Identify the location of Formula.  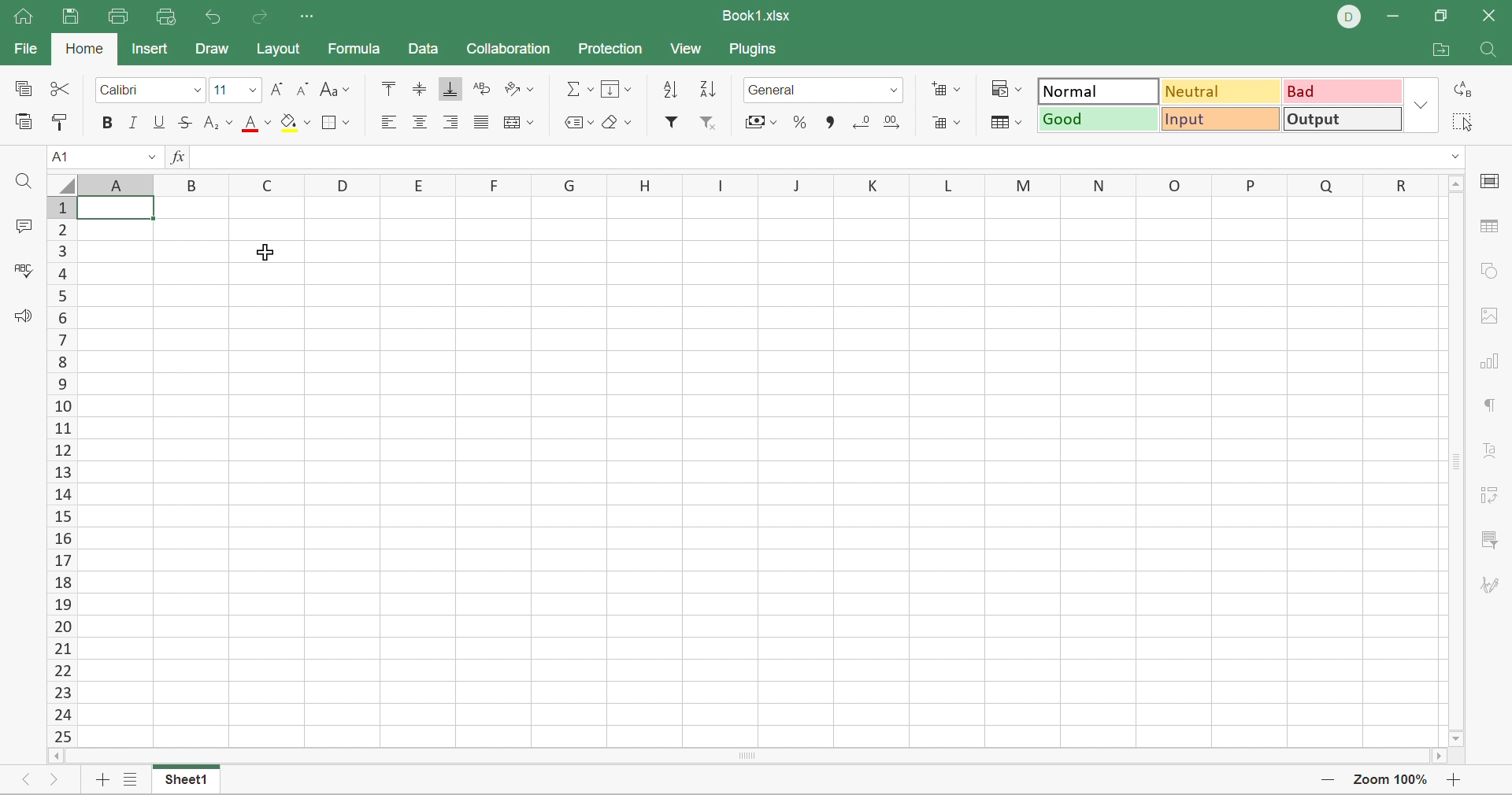
(361, 51).